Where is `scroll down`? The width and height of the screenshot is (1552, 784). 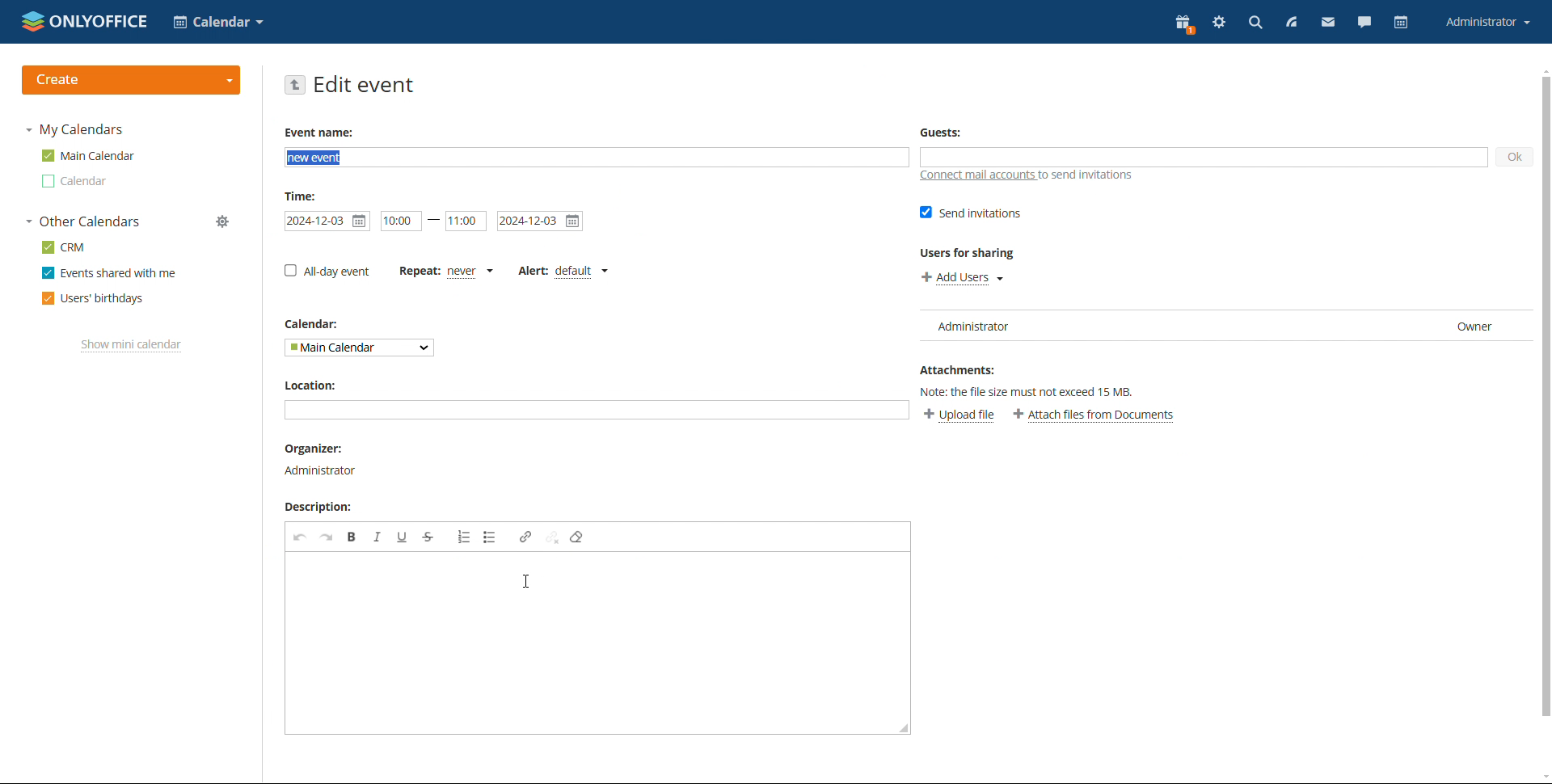
scroll down is located at coordinates (1542, 777).